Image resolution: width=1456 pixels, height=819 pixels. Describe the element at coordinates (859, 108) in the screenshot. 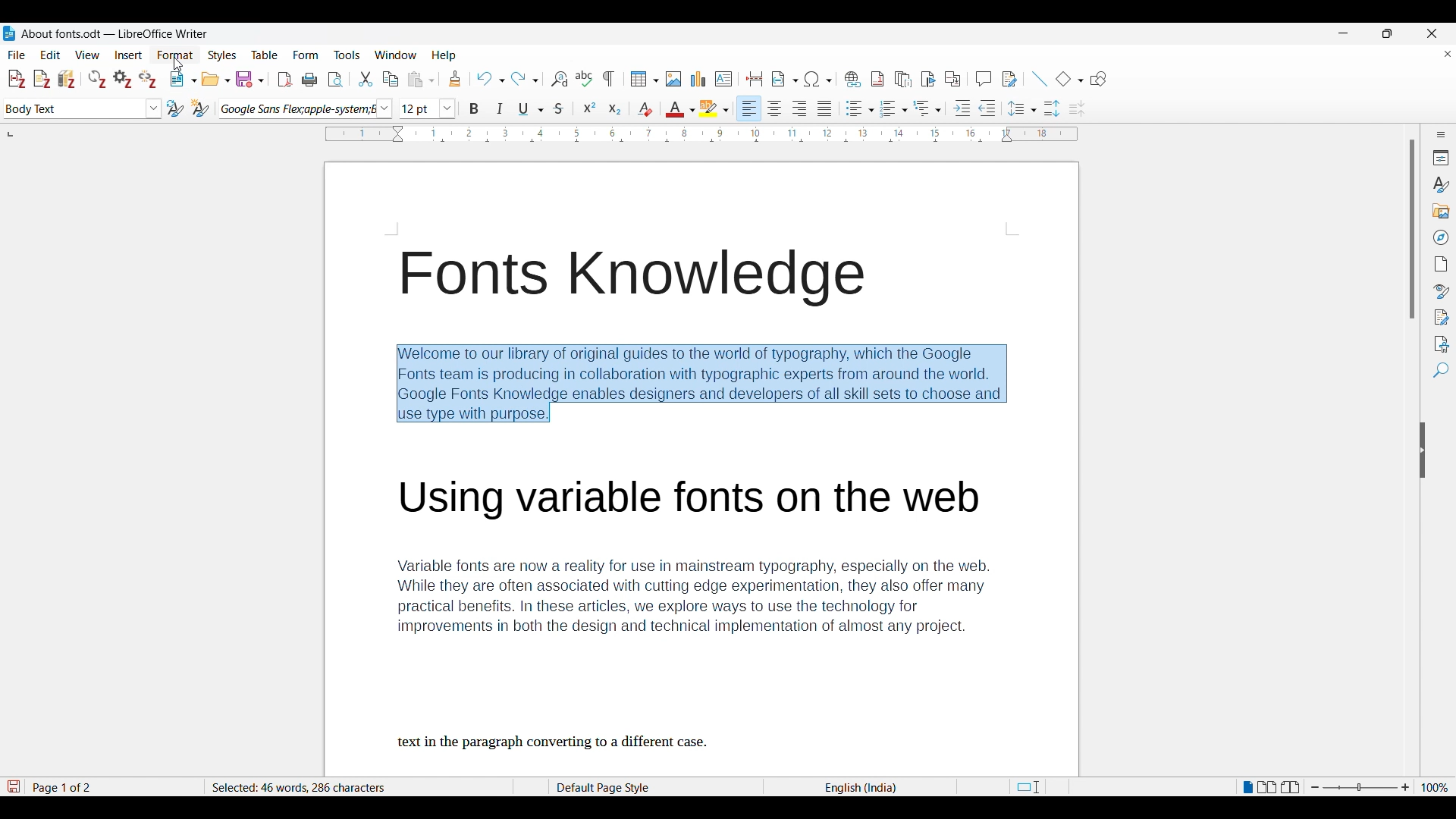

I see `Unordered list` at that location.